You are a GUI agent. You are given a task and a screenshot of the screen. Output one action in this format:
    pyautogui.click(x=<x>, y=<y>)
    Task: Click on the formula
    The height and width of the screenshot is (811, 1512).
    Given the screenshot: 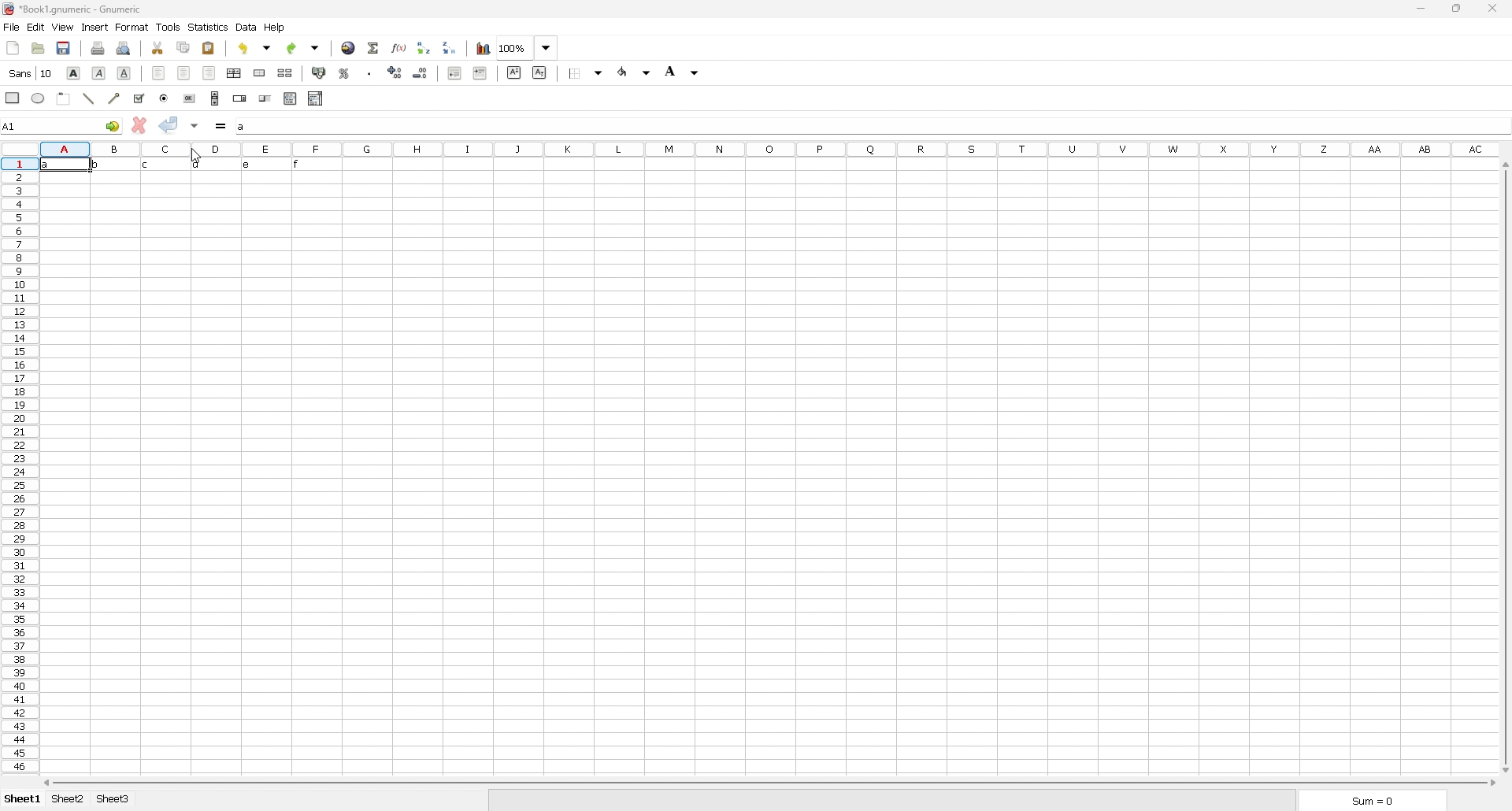 What is the action you would take?
    pyautogui.click(x=222, y=126)
    